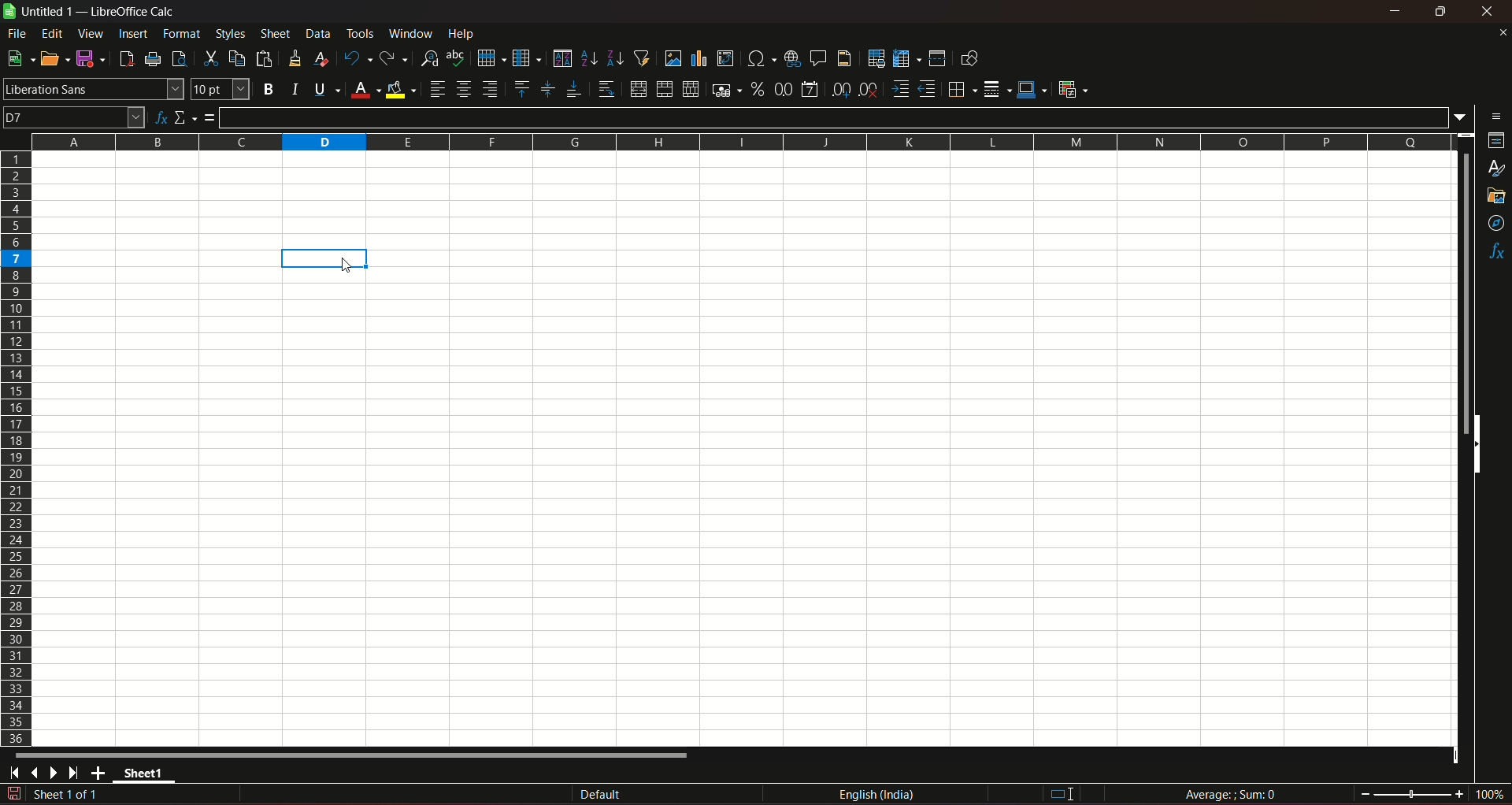 The image size is (1512, 805). I want to click on merge, so click(664, 90).